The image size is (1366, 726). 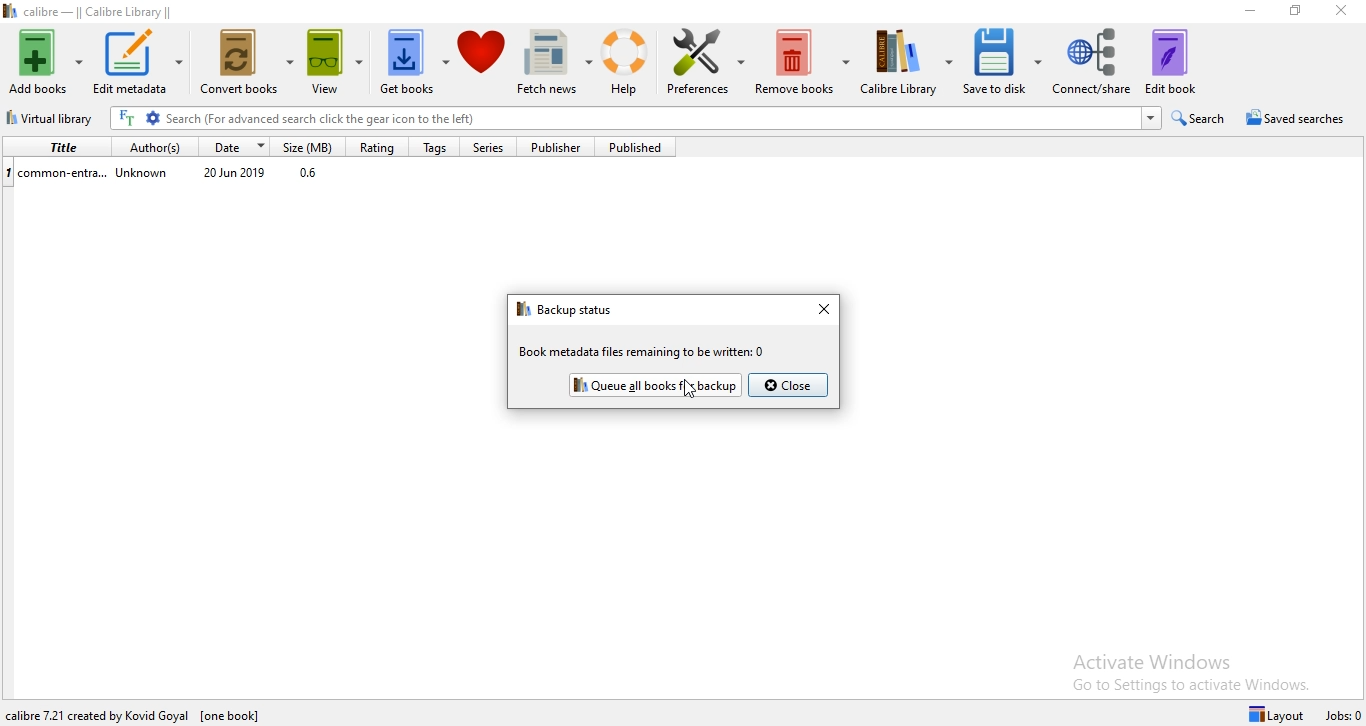 I want to click on Date, so click(x=236, y=146).